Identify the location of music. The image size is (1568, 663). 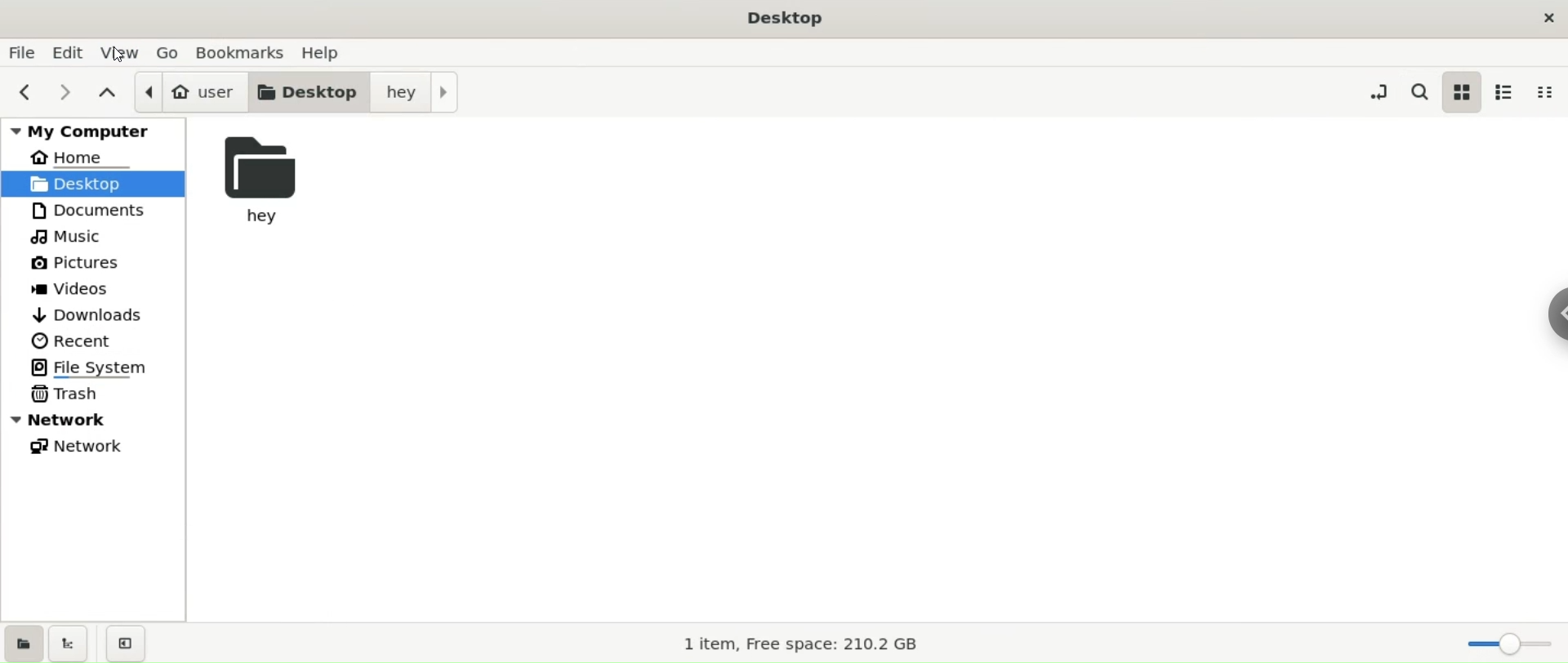
(103, 238).